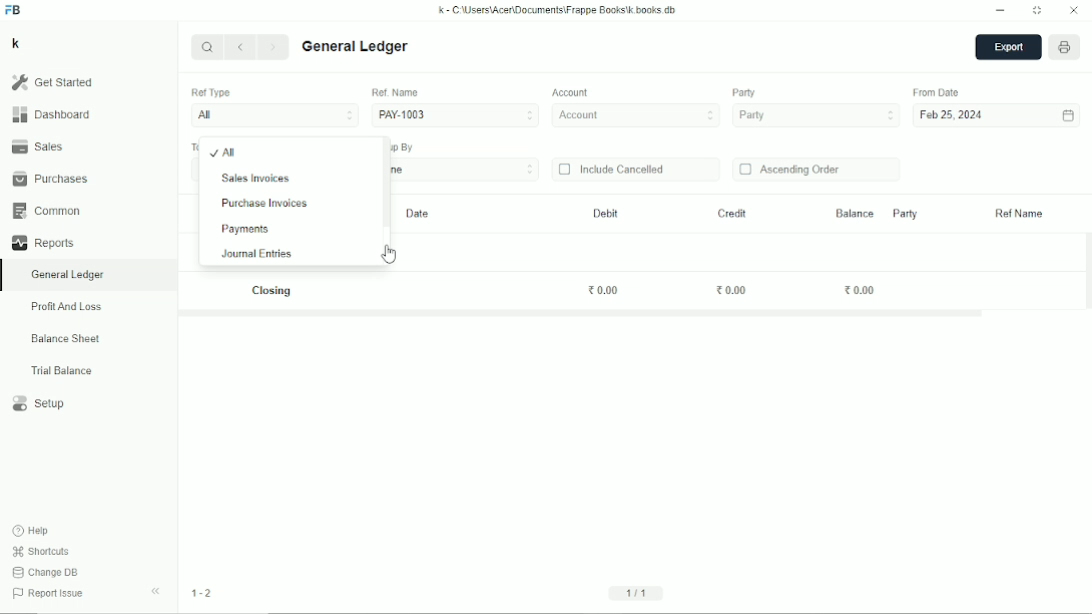 The width and height of the screenshot is (1092, 614). I want to click on Dashboard, so click(51, 114).